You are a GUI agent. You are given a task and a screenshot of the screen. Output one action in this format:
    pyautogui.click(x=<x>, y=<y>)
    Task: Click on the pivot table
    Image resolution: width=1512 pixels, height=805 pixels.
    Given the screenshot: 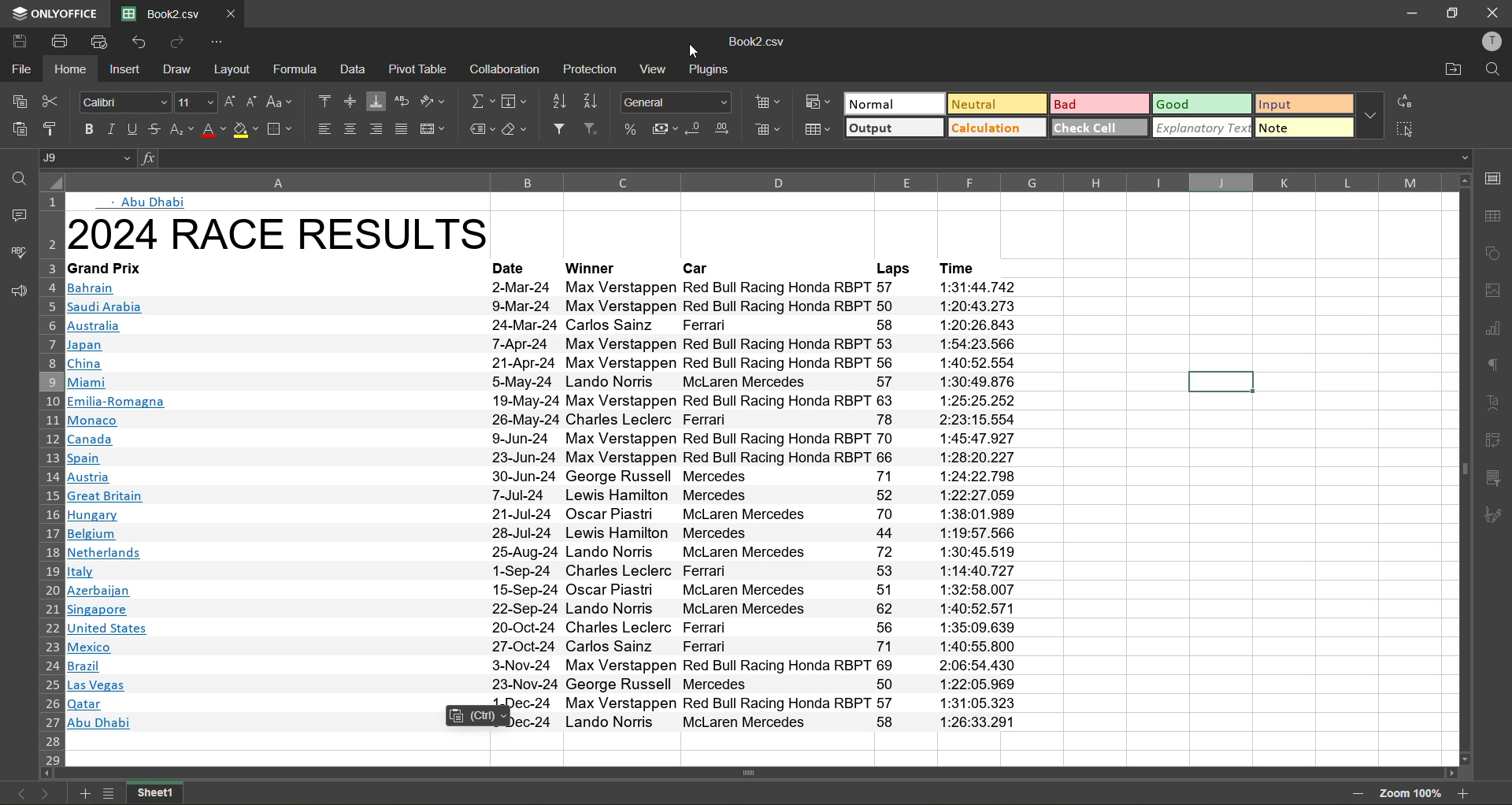 What is the action you would take?
    pyautogui.click(x=421, y=69)
    